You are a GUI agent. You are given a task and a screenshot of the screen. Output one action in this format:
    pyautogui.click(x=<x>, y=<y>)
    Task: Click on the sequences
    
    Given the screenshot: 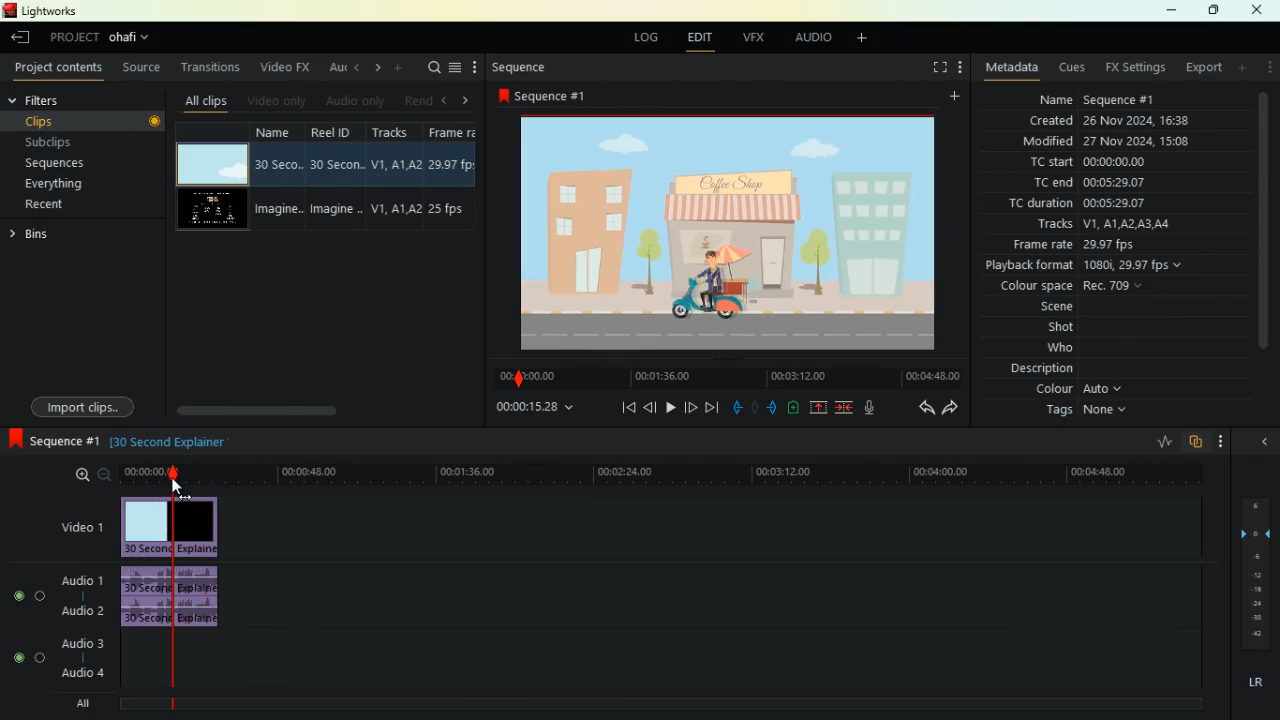 What is the action you would take?
    pyautogui.click(x=70, y=161)
    